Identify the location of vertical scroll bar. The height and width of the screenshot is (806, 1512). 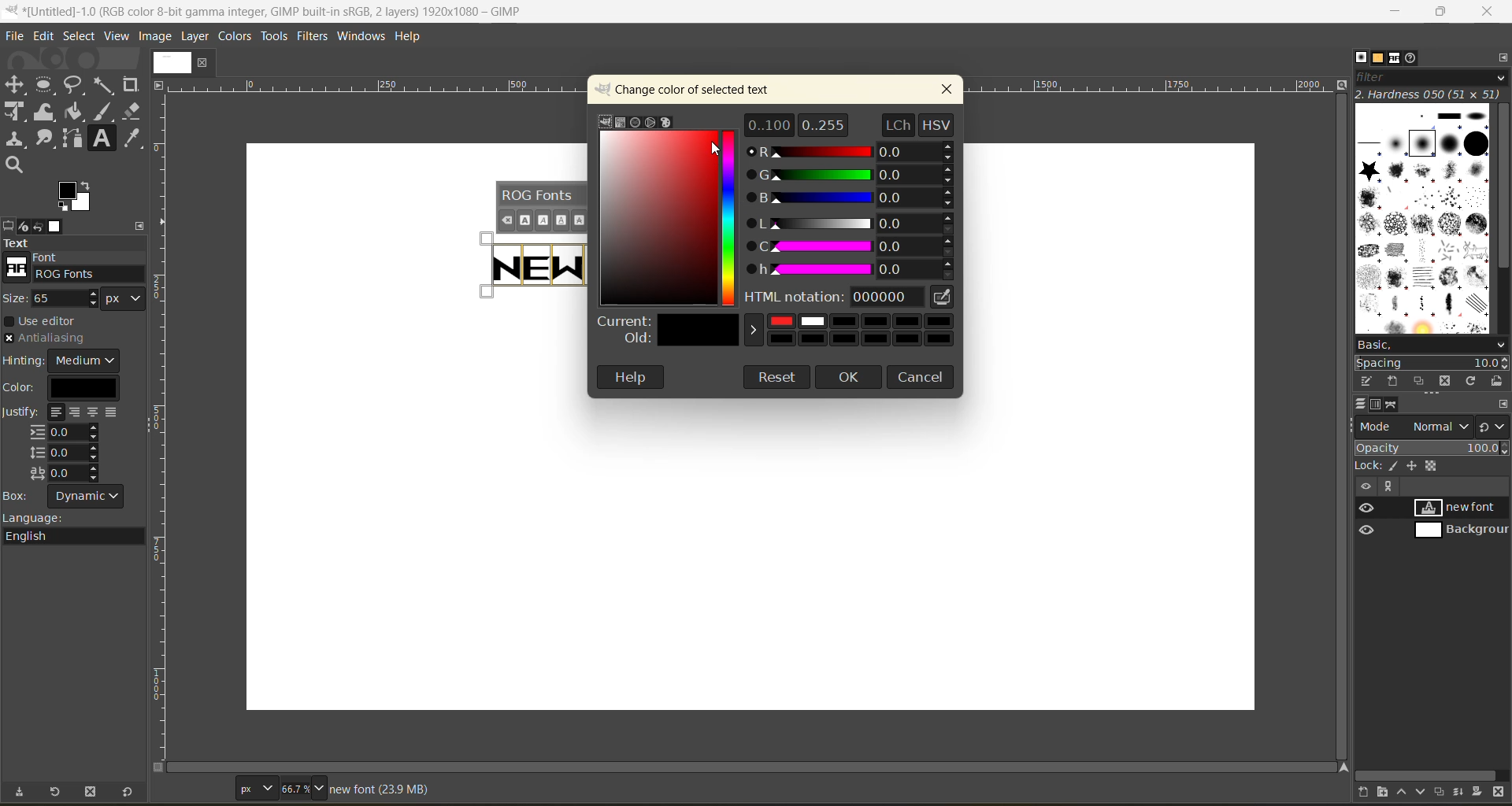
(1503, 189).